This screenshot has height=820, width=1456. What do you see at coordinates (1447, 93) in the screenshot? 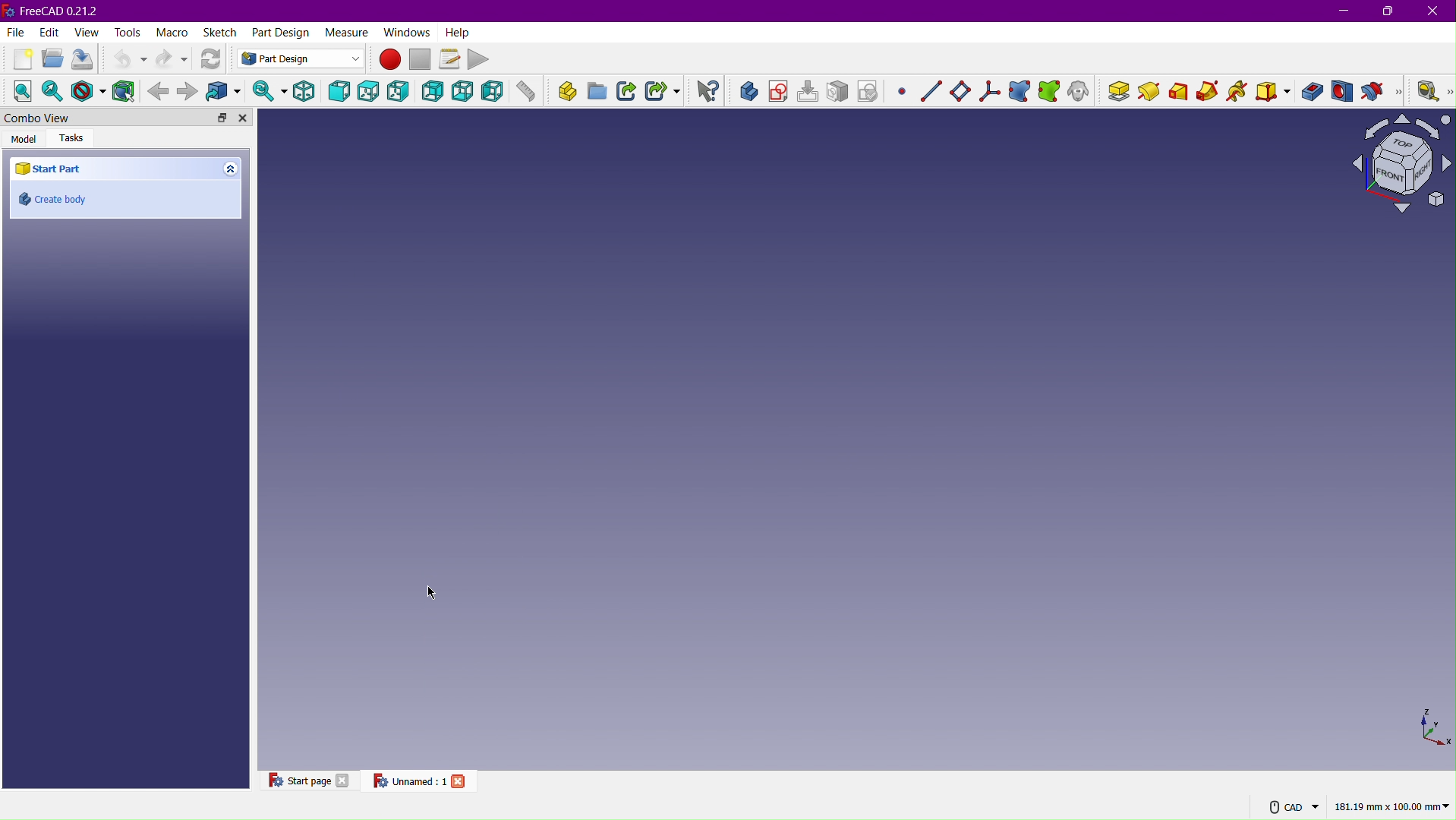
I see `more tools` at bounding box center [1447, 93].